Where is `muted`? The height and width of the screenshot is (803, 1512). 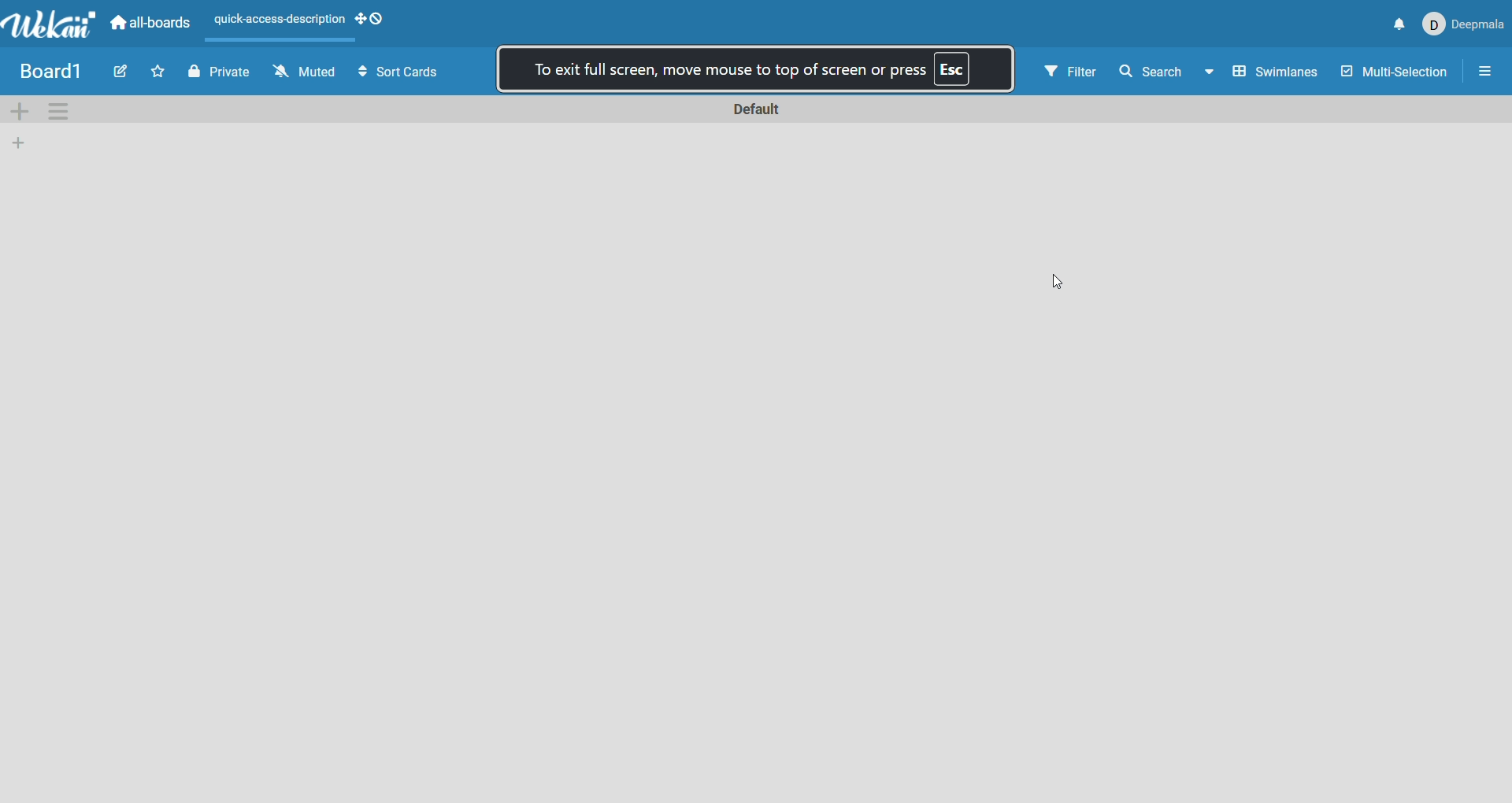 muted is located at coordinates (302, 73).